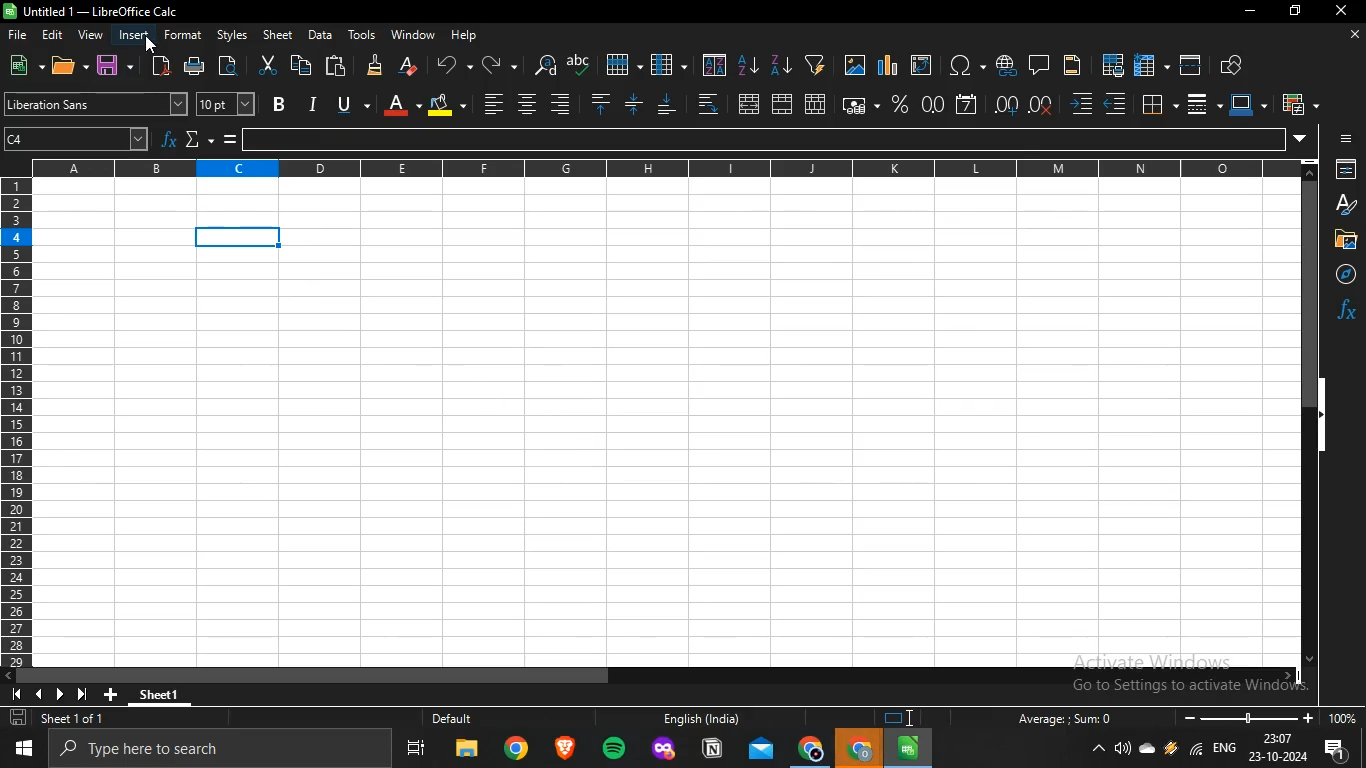  Describe the element at coordinates (1043, 104) in the screenshot. I see `delete decimal place` at that location.